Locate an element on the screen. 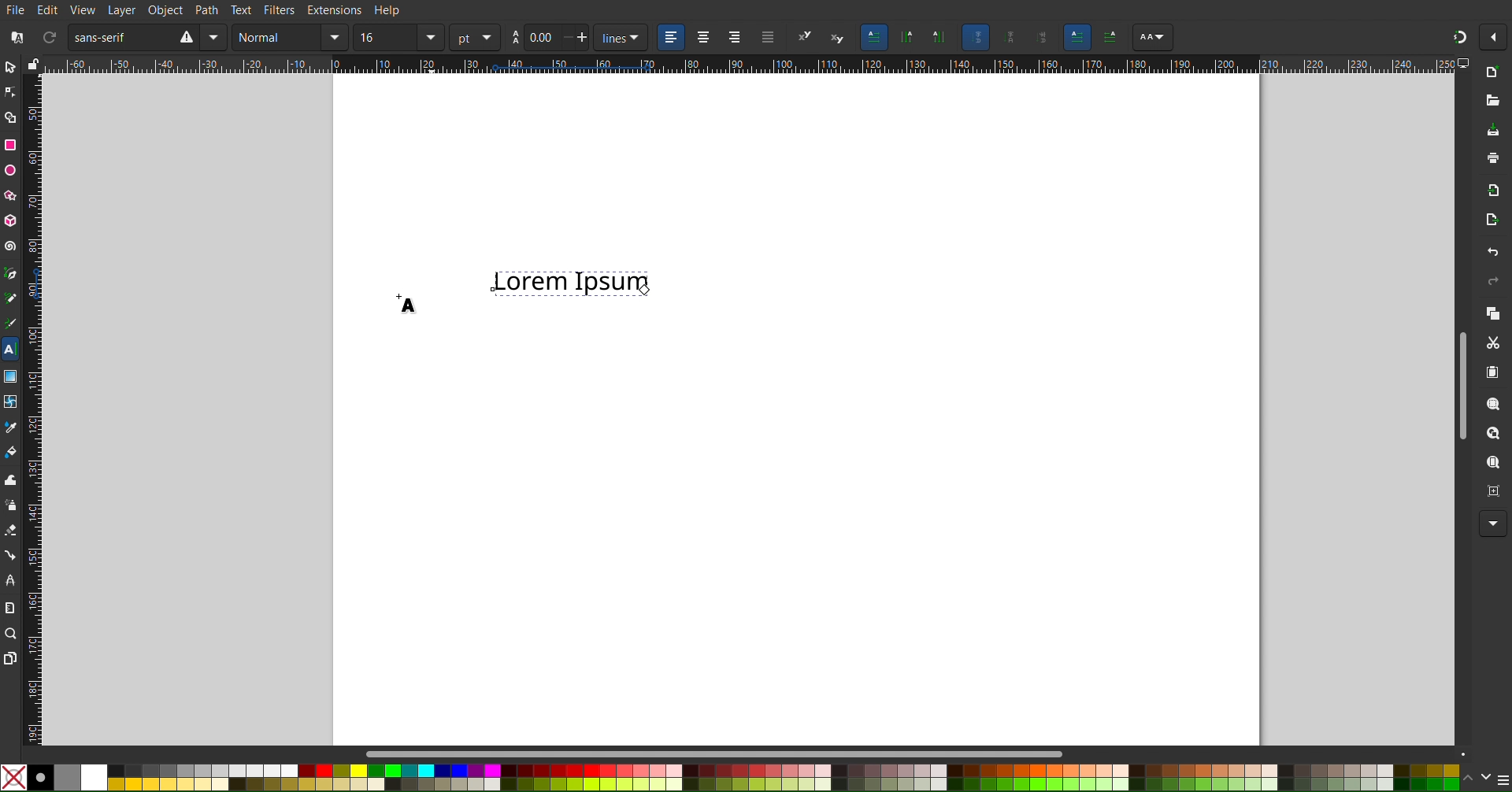 This screenshot has height=792, width=1512. normal is located at coordinates (277, 37).